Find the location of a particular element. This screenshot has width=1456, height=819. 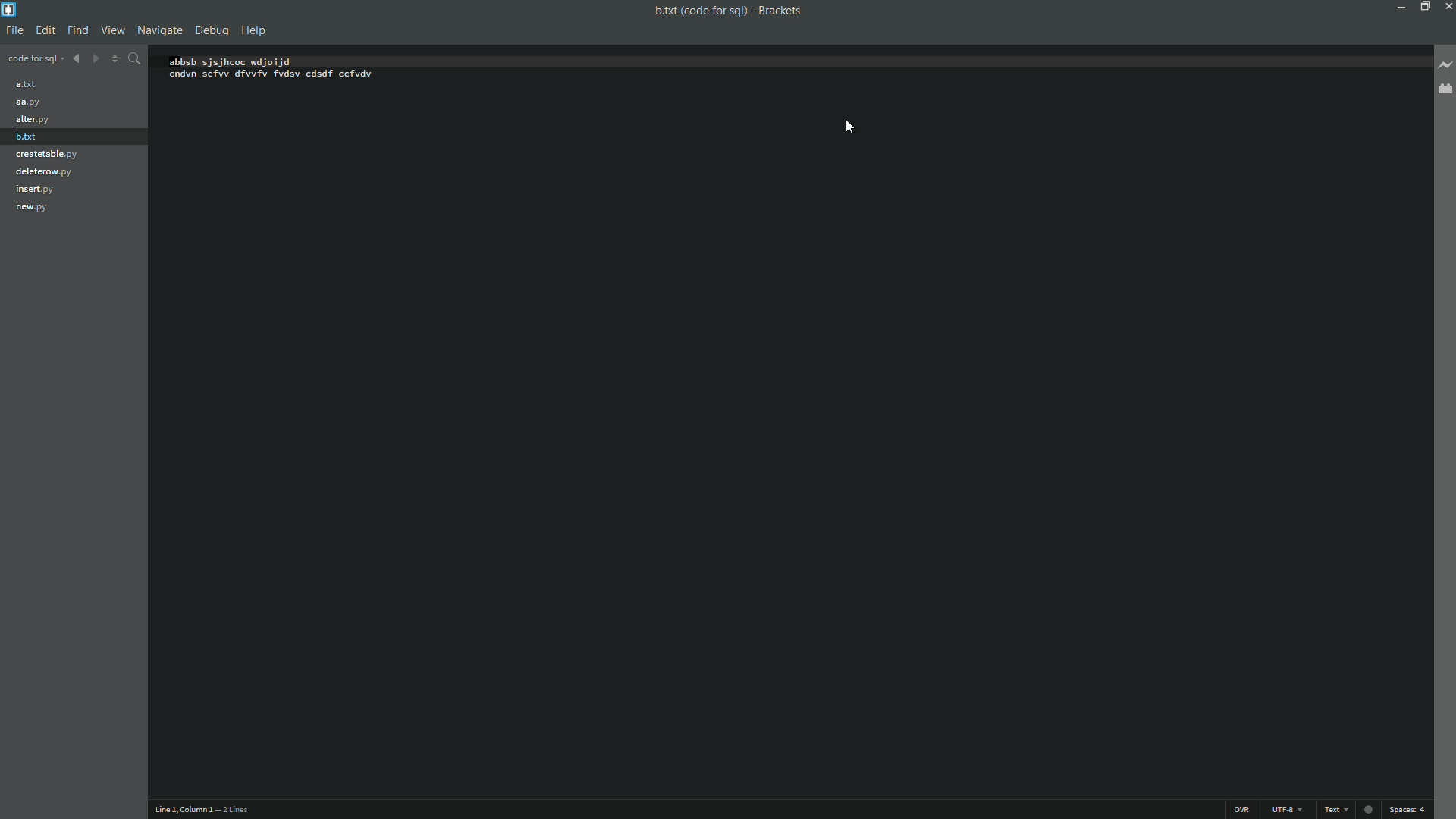

warnings is located at coordinates (1367, 808).